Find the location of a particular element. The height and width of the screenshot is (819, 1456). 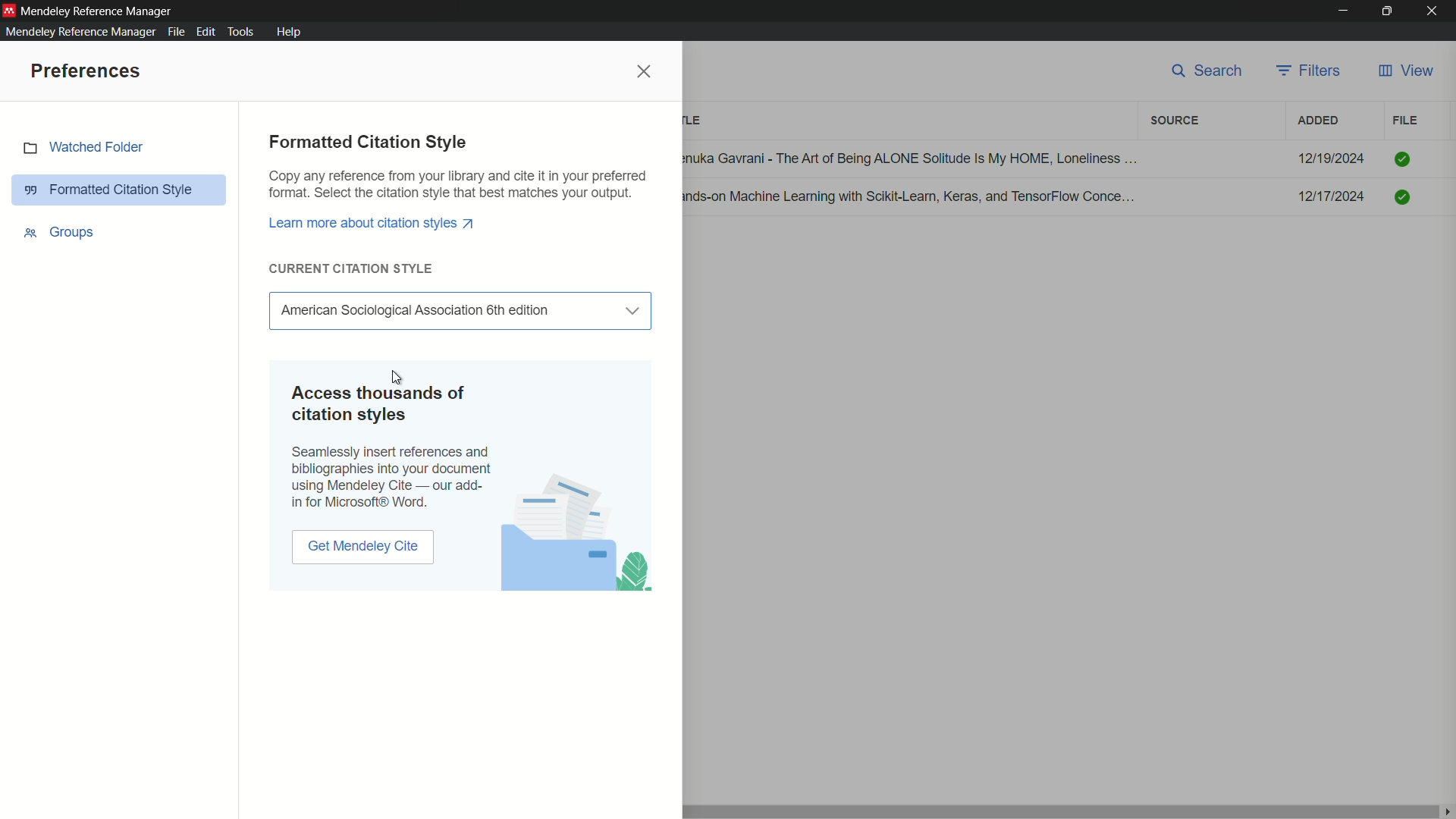

view is located at coordinates (1406, 73).